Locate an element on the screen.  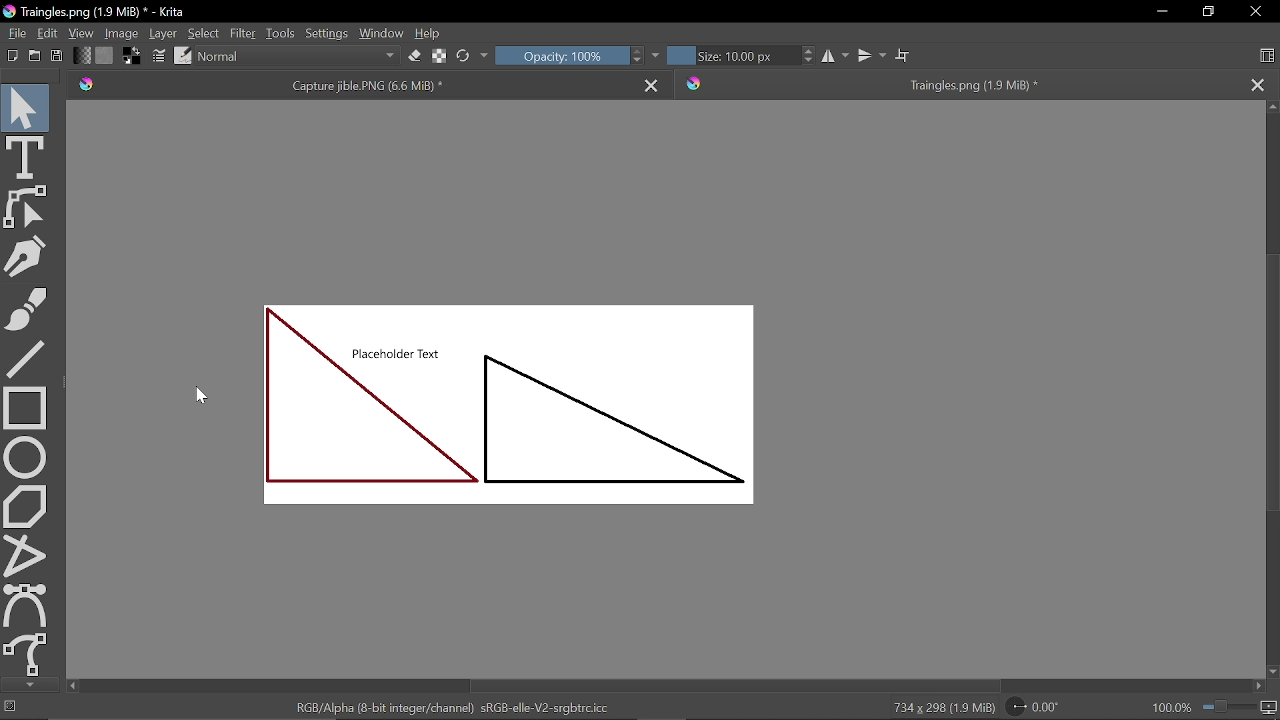
Freehand path tool is located at coordinates (27, 655).